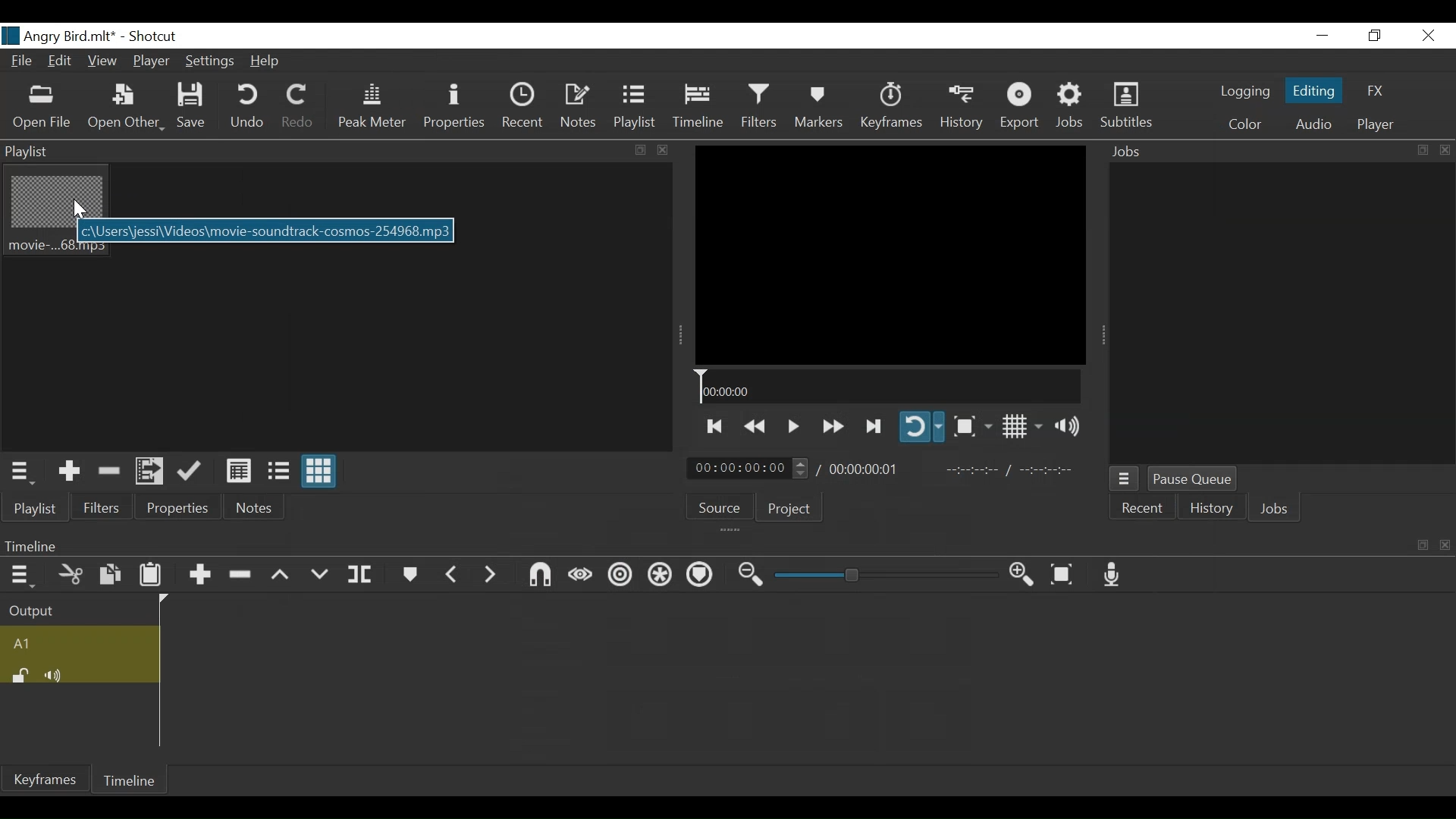 The width and height of the screenshot is (1456, 819). Describe the element at coordinates (19, 574) in the screenshot. I see `Timeline menu` at that location.